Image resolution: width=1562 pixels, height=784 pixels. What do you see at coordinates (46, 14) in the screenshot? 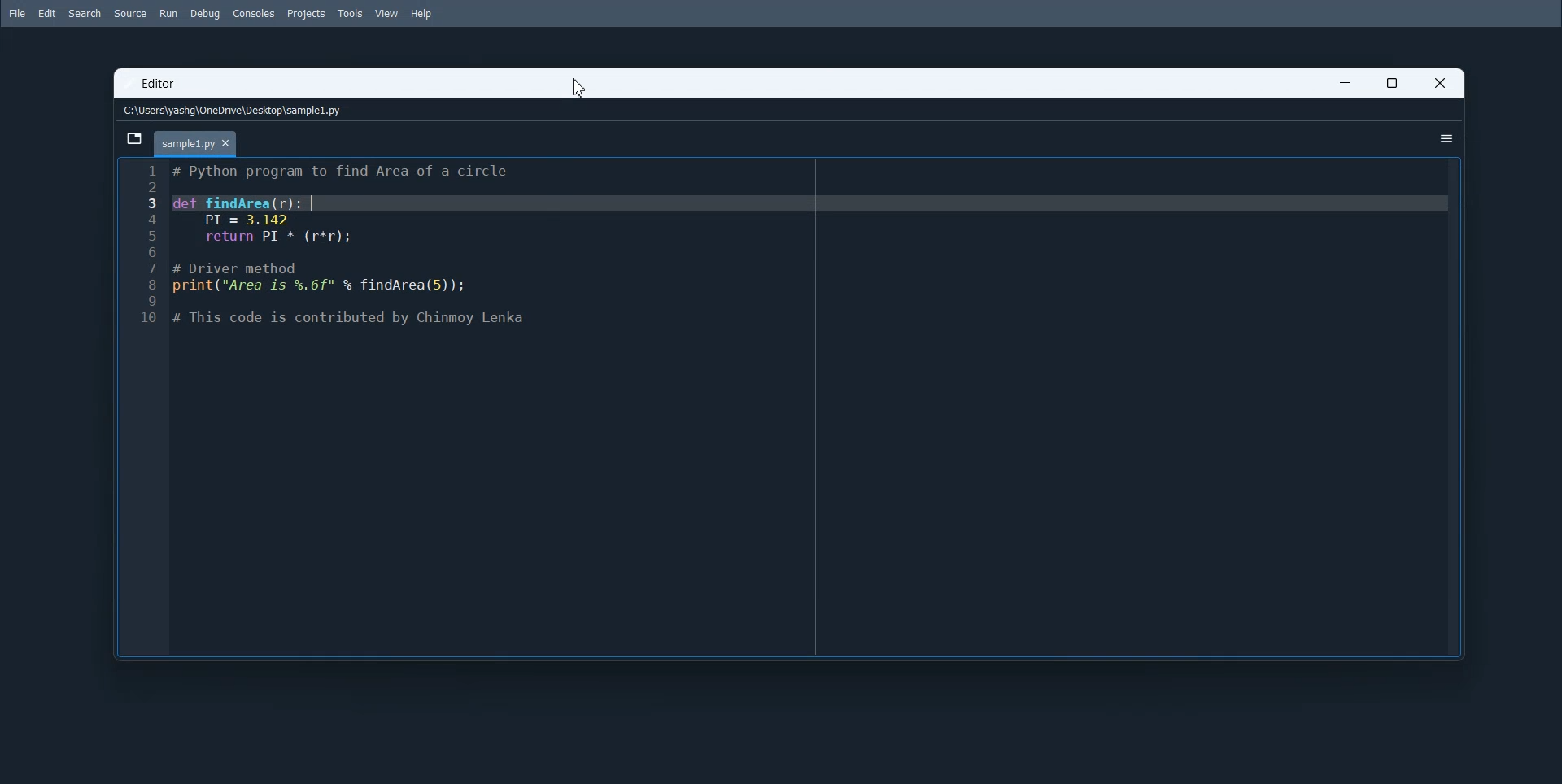
I see `Edit` at bounding box center [46, 14].